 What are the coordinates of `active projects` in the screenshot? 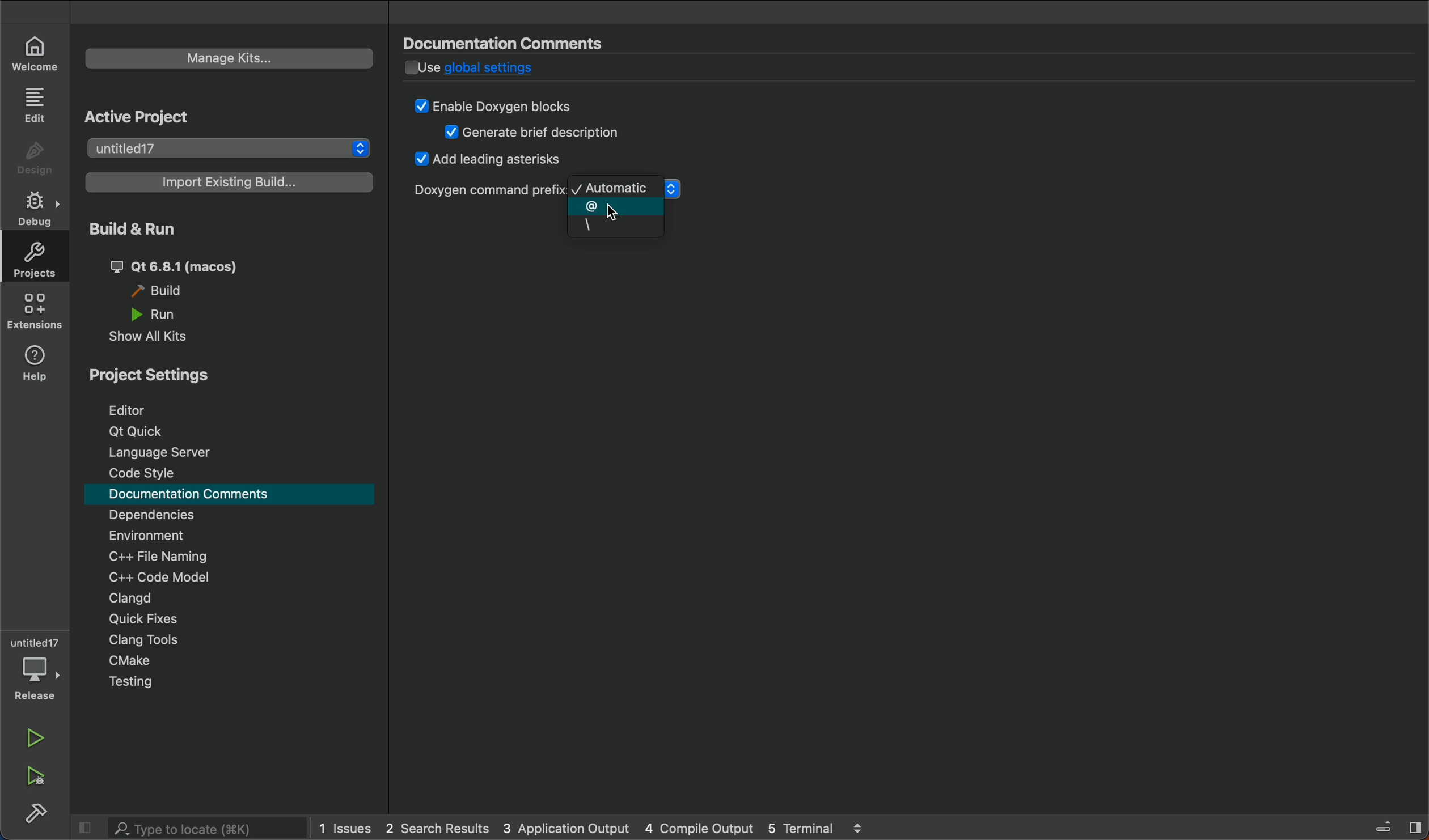 It's located at (150, 114).